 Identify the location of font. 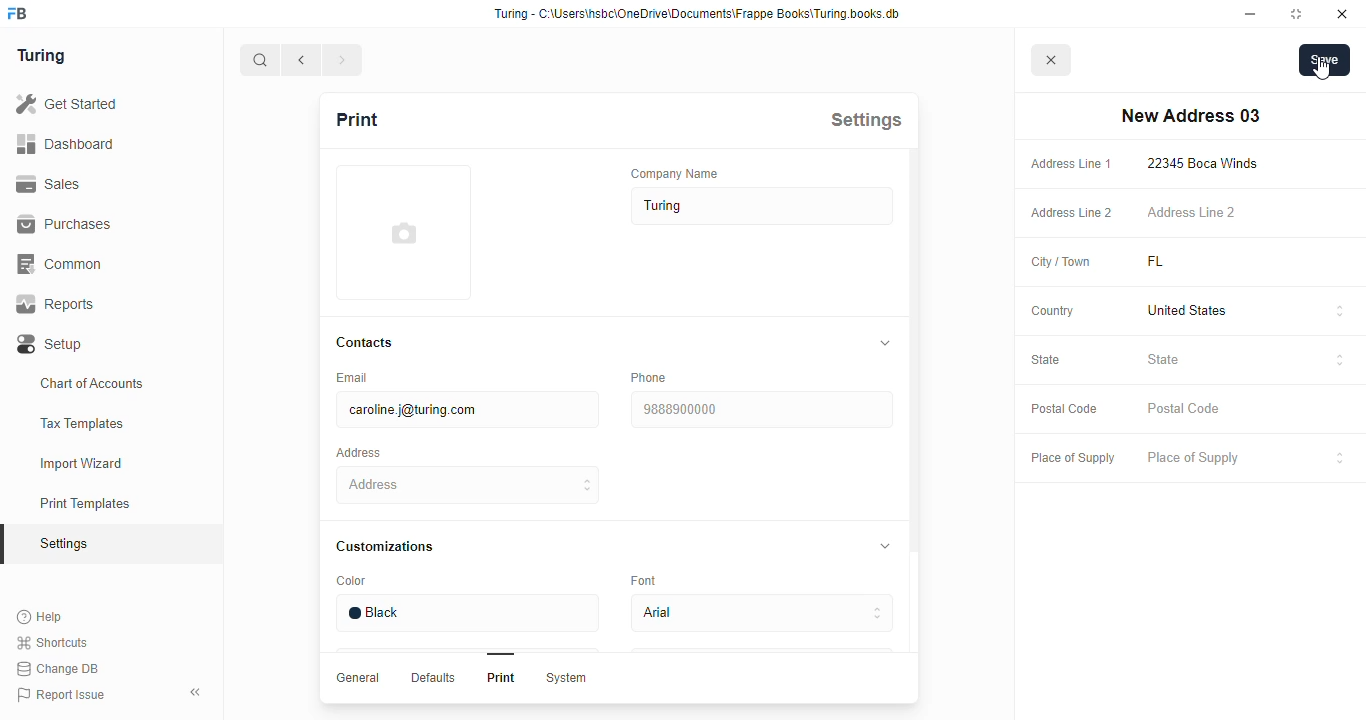
(647, 579).